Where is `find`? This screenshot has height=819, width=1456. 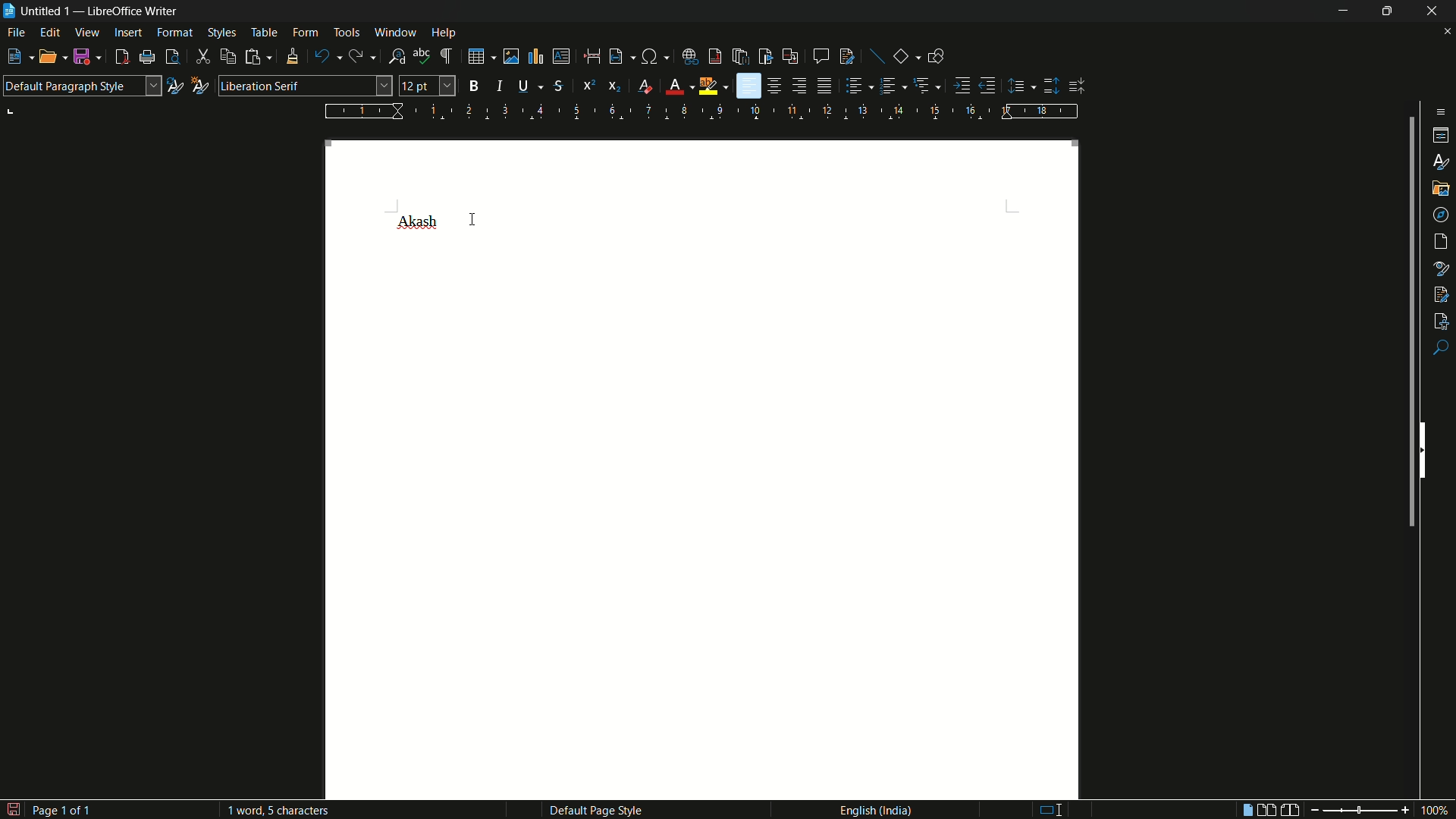
find is located at coordinates (1441, 349).